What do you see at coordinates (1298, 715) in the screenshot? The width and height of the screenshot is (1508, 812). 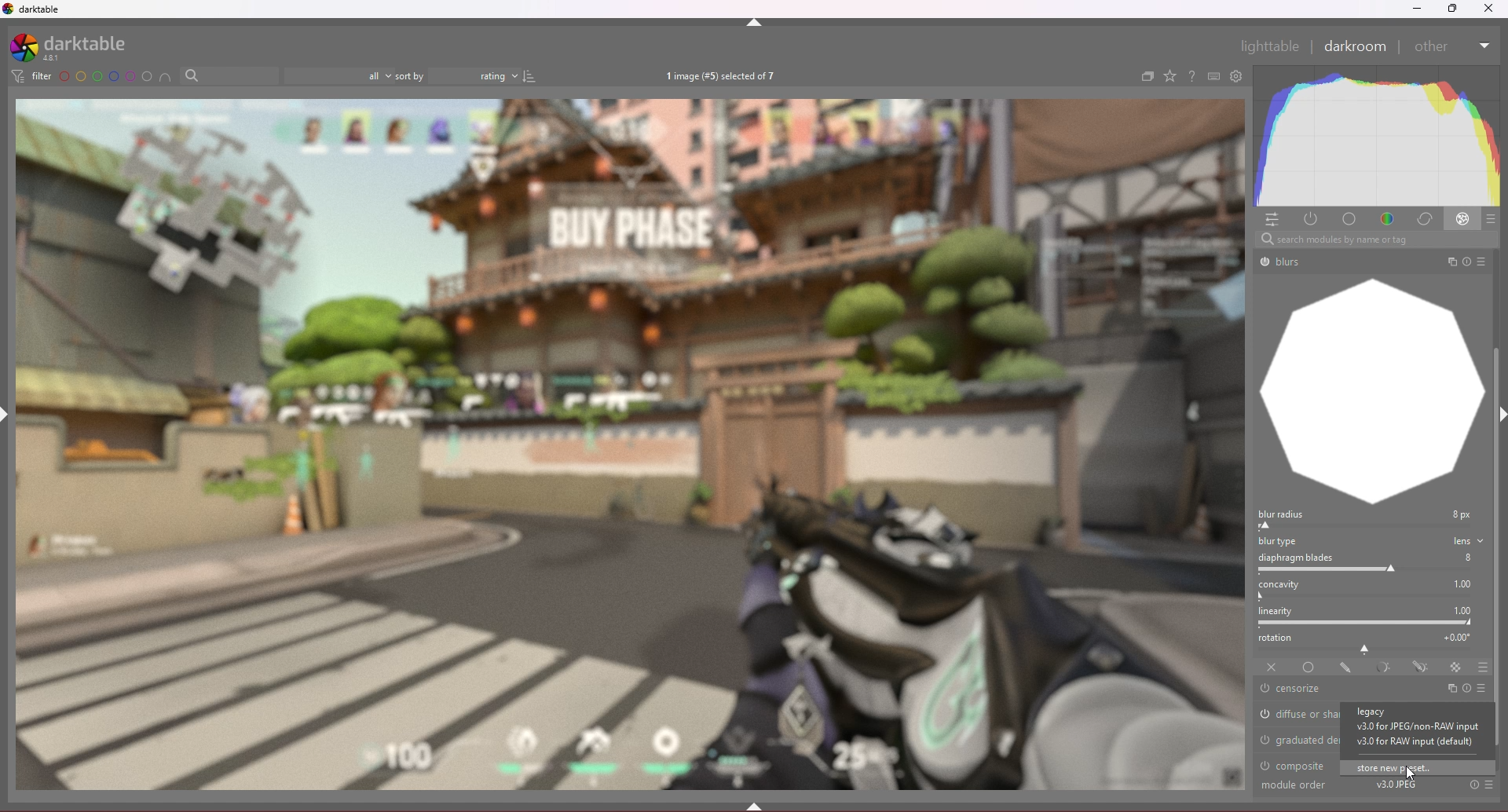 I see `diffuse or sharpen` at bounding box center [1298, 715].